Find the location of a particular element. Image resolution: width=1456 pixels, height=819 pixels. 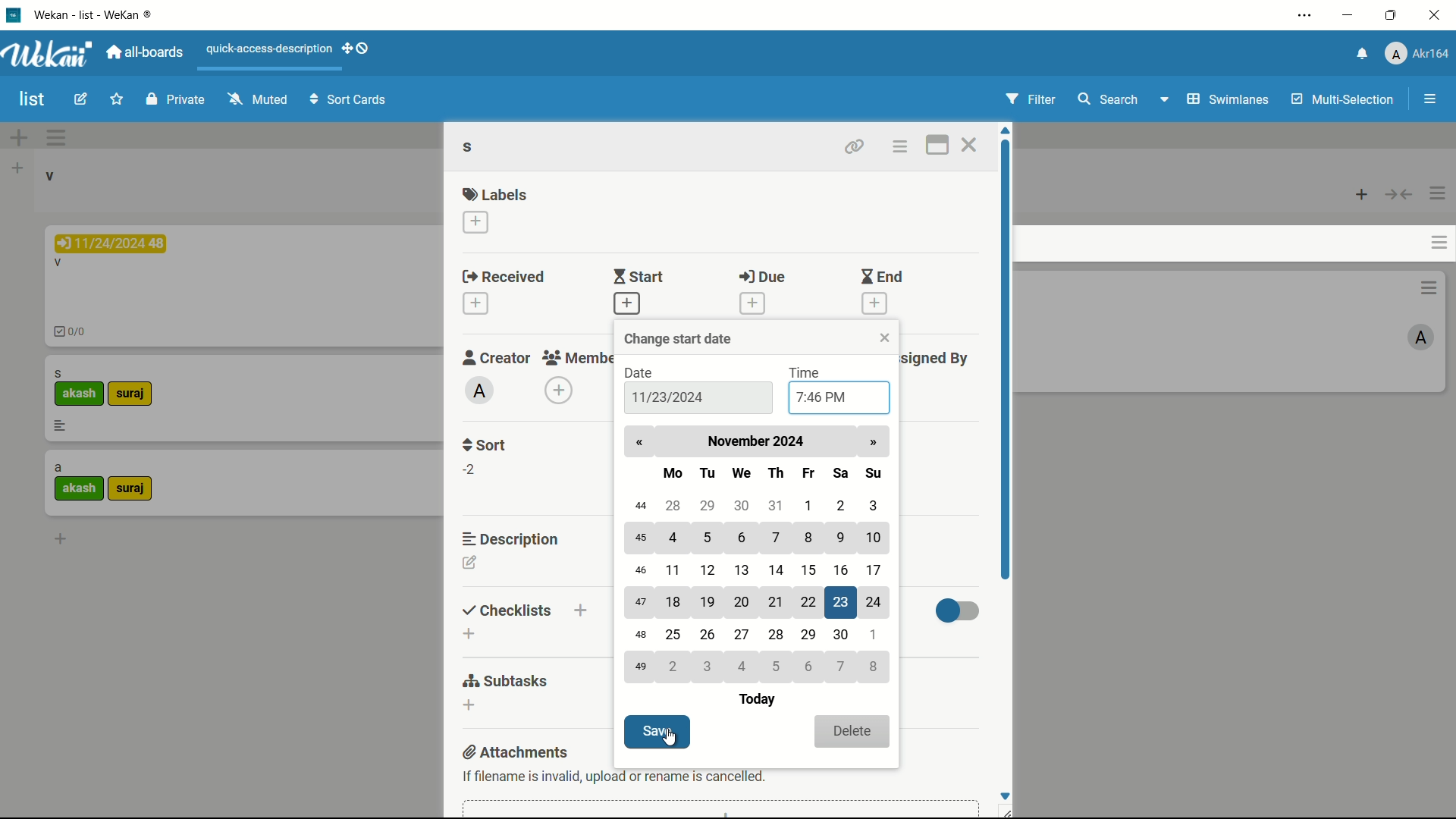

scroll bar is located at coordinates (1005, 359).